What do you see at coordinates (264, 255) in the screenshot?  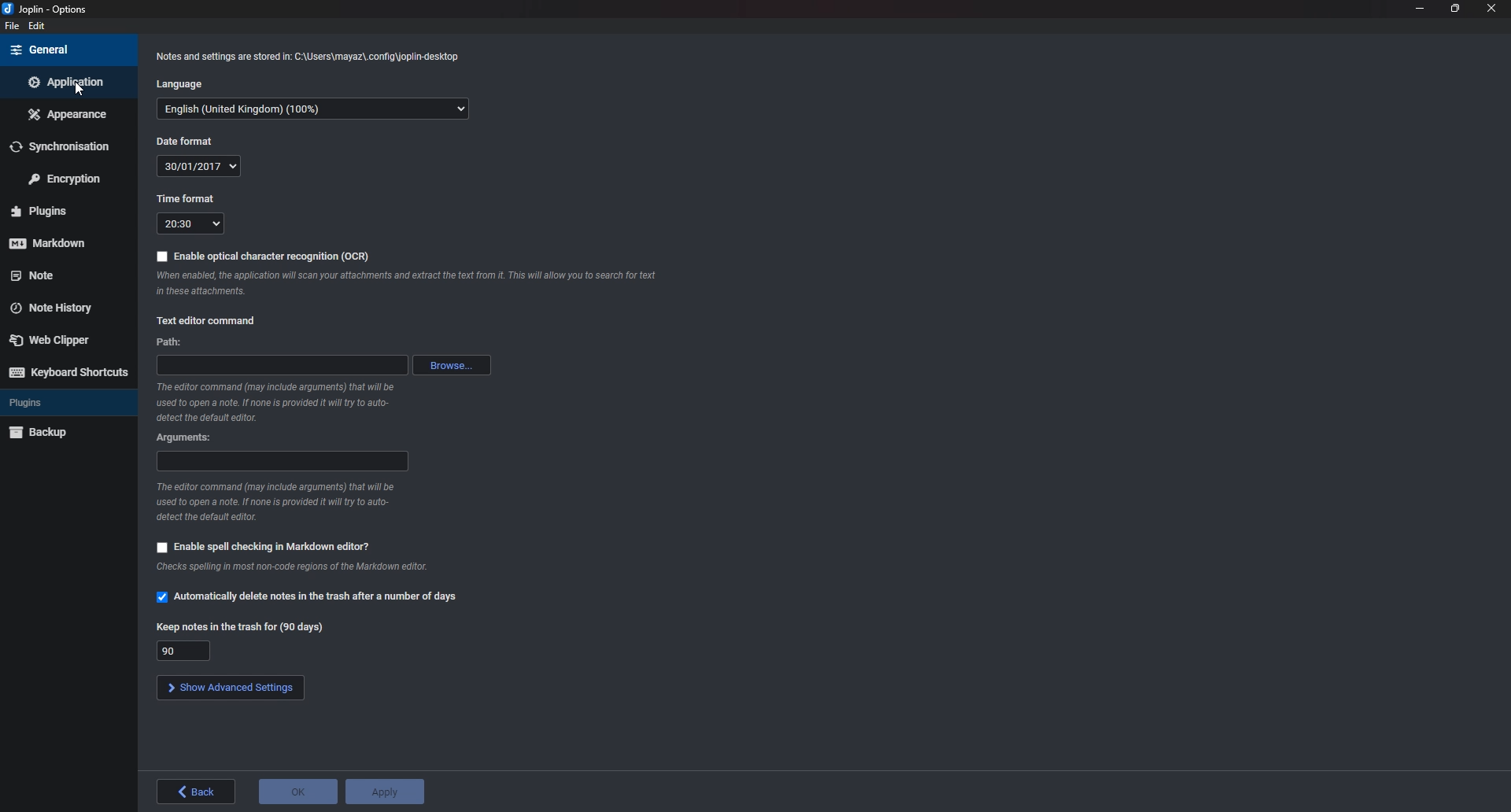 I see `Enable ocr` at bounding box center [264, 255].